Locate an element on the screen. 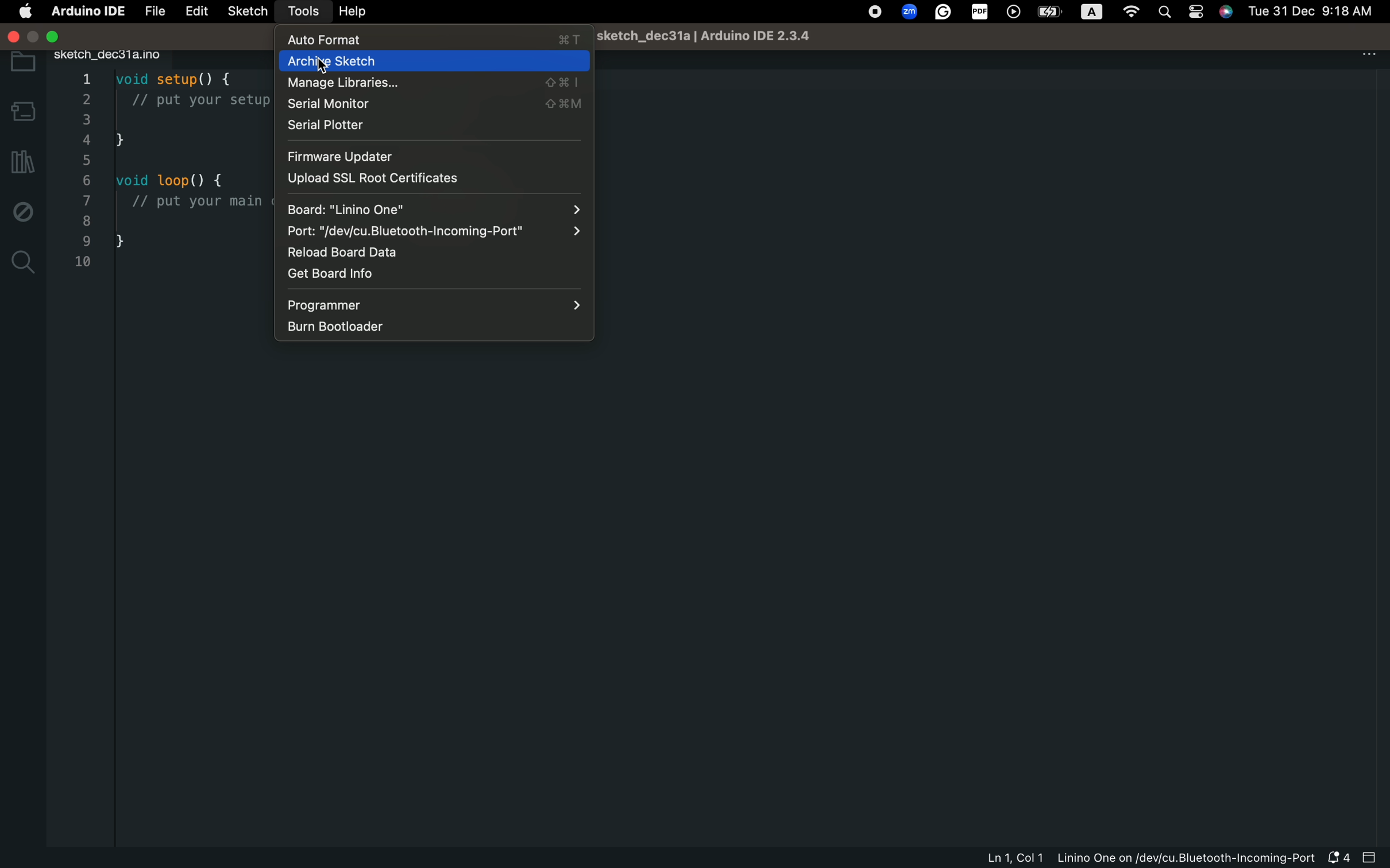  port is located at coordinates (434, 233).